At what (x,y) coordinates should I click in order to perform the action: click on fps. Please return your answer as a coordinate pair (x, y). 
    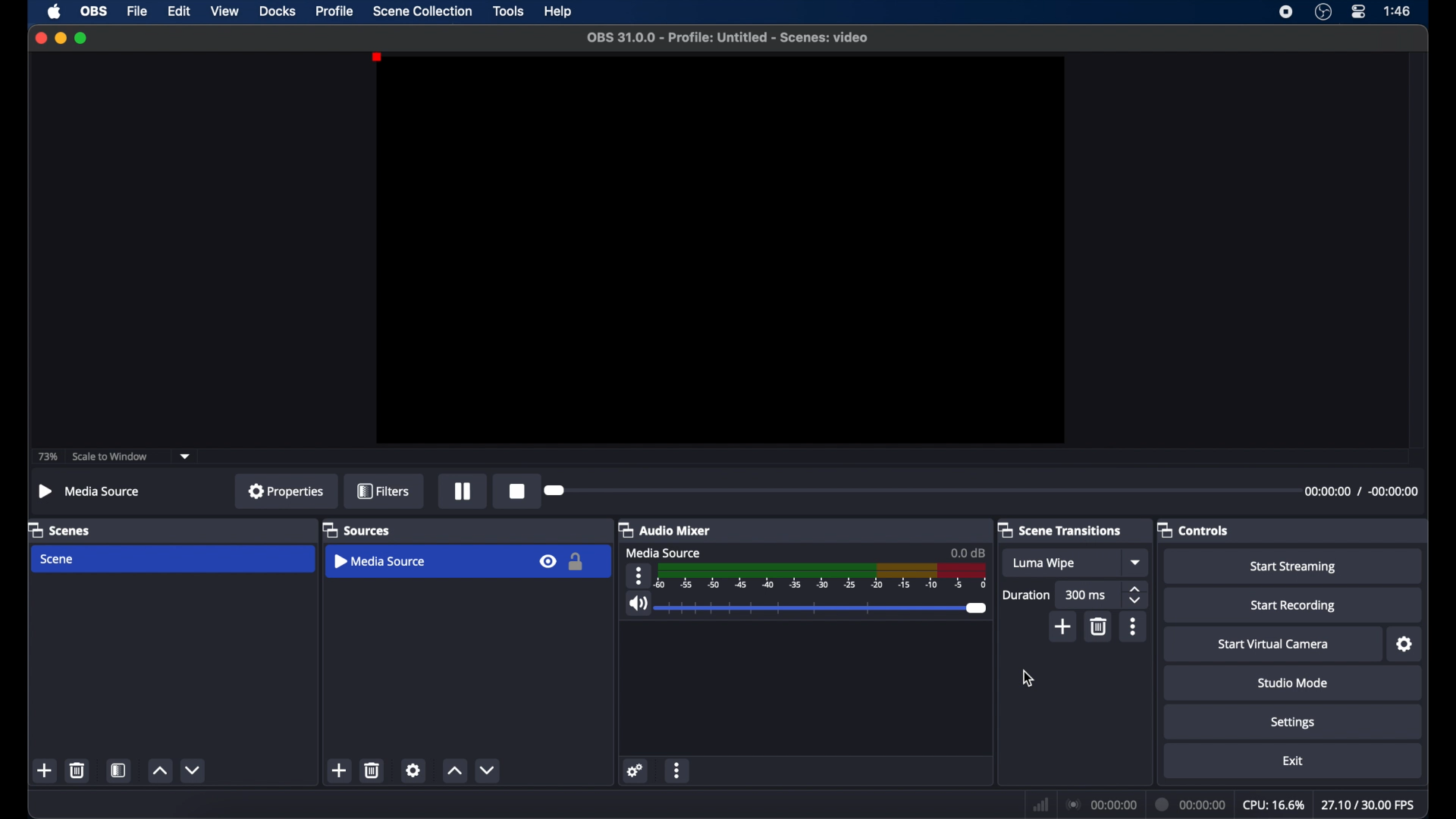
    Looking at the image, I should click on (1370, 805).